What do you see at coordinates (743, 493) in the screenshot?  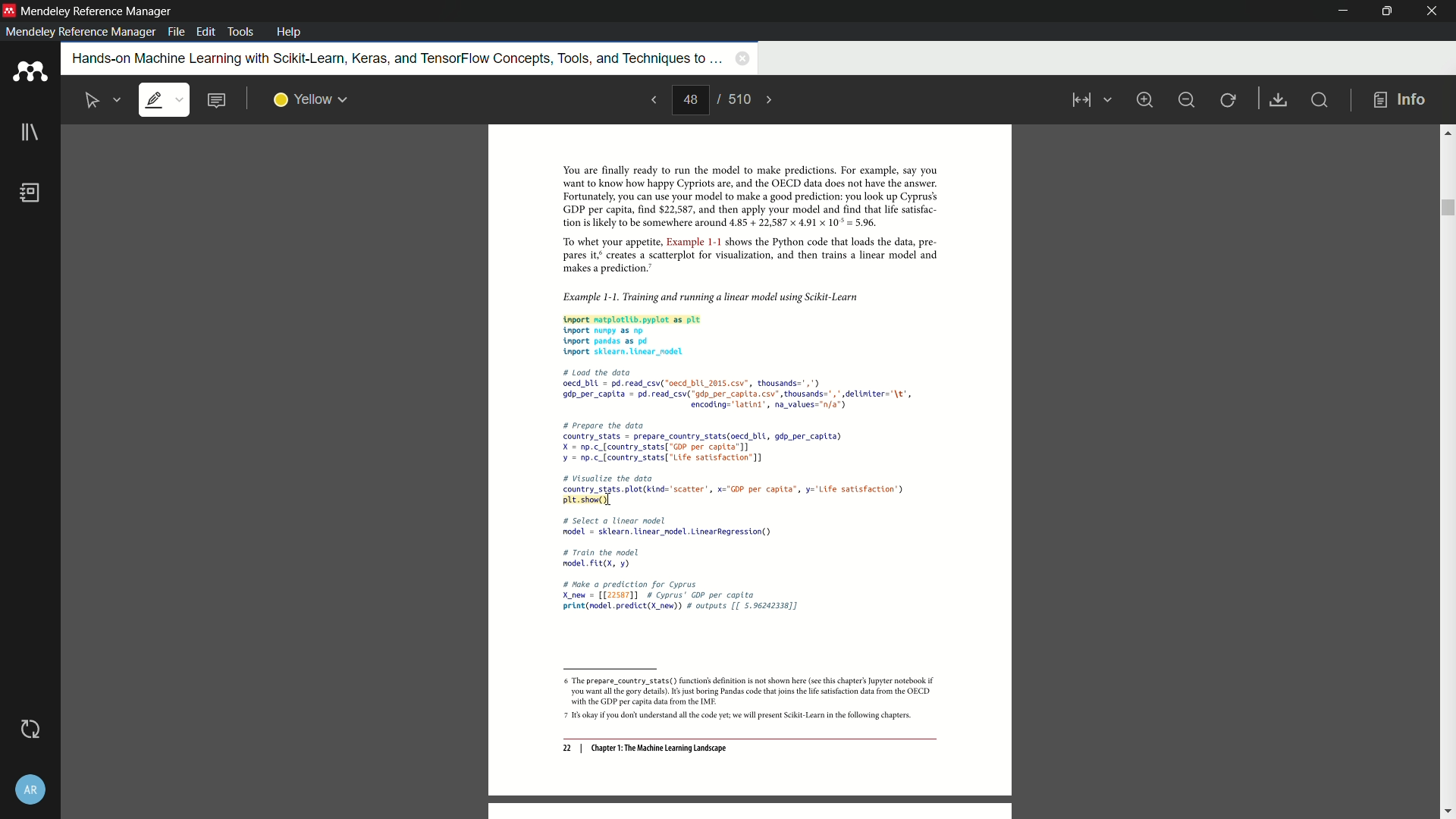 I see `# Load the data

oecd_bUL = pd. read_csv("oecd_bLL 2015.csv”, thousands=",")

9dp_per_captta = pd.read_csv("gdp_per capita. csv’, thousands=",* delintter="\t',
encoding="latini’, na_values="n/a")

# prepare the data

country_stats = prepare_country_stats(aecd bli, gdp_per capita)

X = np.c_[country_stats[ "GOP per captta’]]

¥ = np.c_(country_stats[ "Life satisfaction]

# Visualize the dota

country_stats. plot(kind="scatter, x="G0P per capita”, y='Life satisfaction’)

pt. show()

# select a linear nodel

nodel = sklearn. linear_nodel. LinearRegression()

# Train the model

nodelFLL(X, ¥)

# Nake a prediction for Cyprus

X_new = [[22567]] # Cyprus’ GOP per capita

print(nodel.predict(X new) # outputs [[ 5.96242338]]` at bounding box center [743, 493].